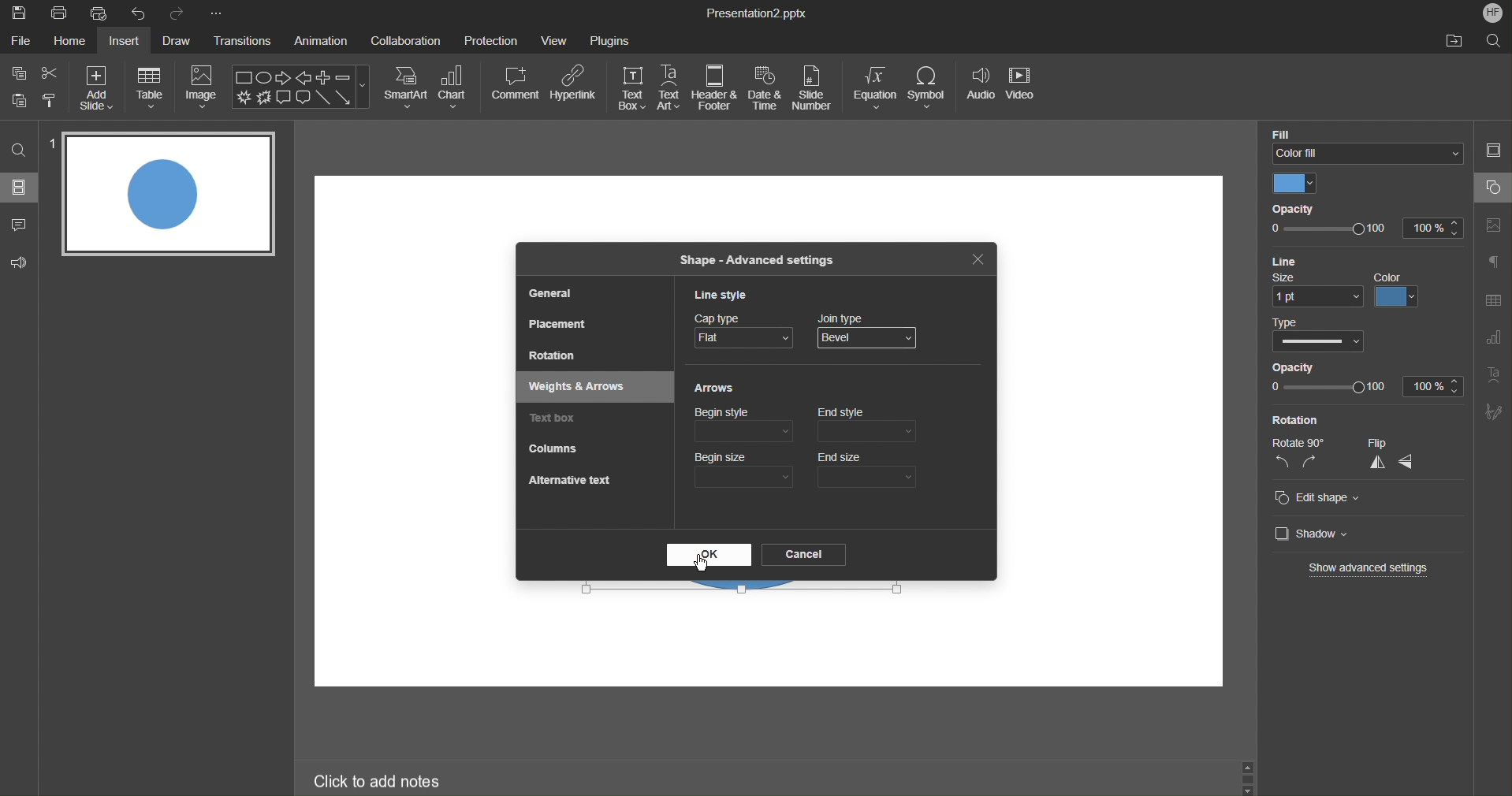 The image size is (1512, 796). What do you see at coordinates (631, 88) in the screenshot?
I see `Text Box` at bounding box center [631, 88].